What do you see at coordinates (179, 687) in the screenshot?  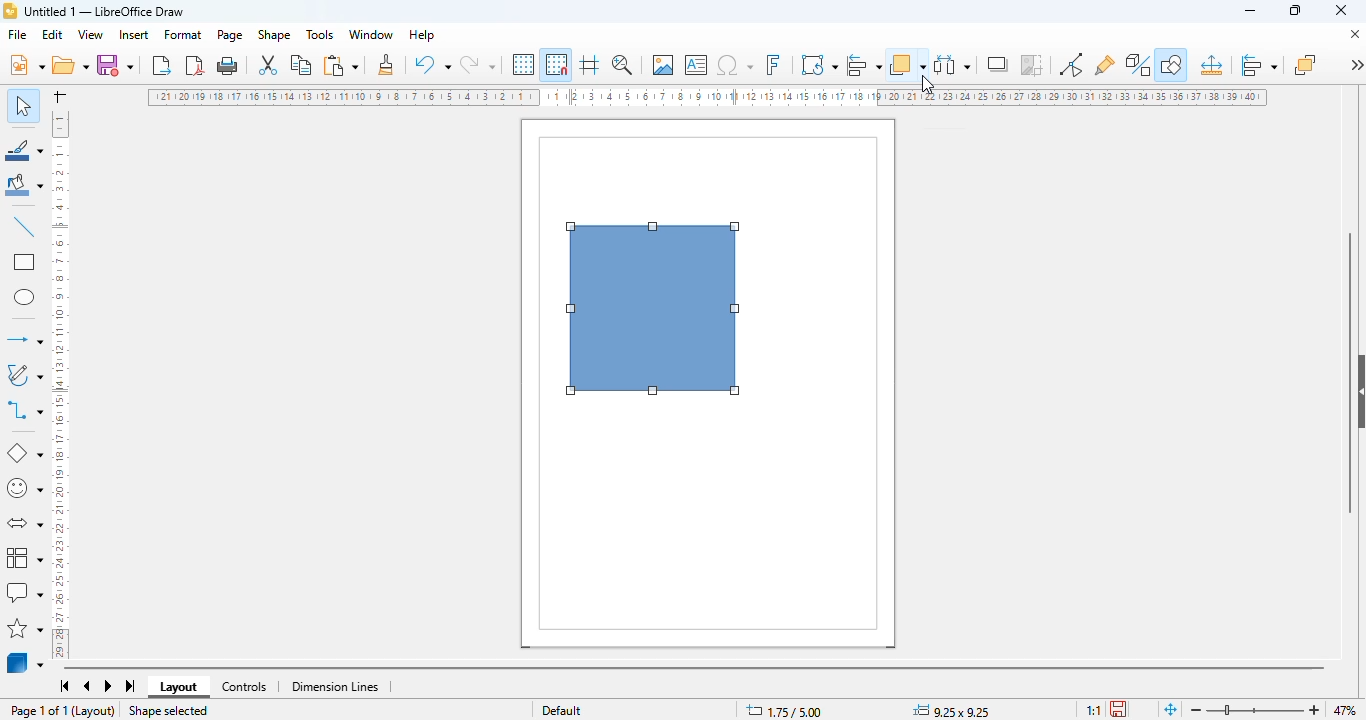 I see `layout` at bounding box center [179, 687].